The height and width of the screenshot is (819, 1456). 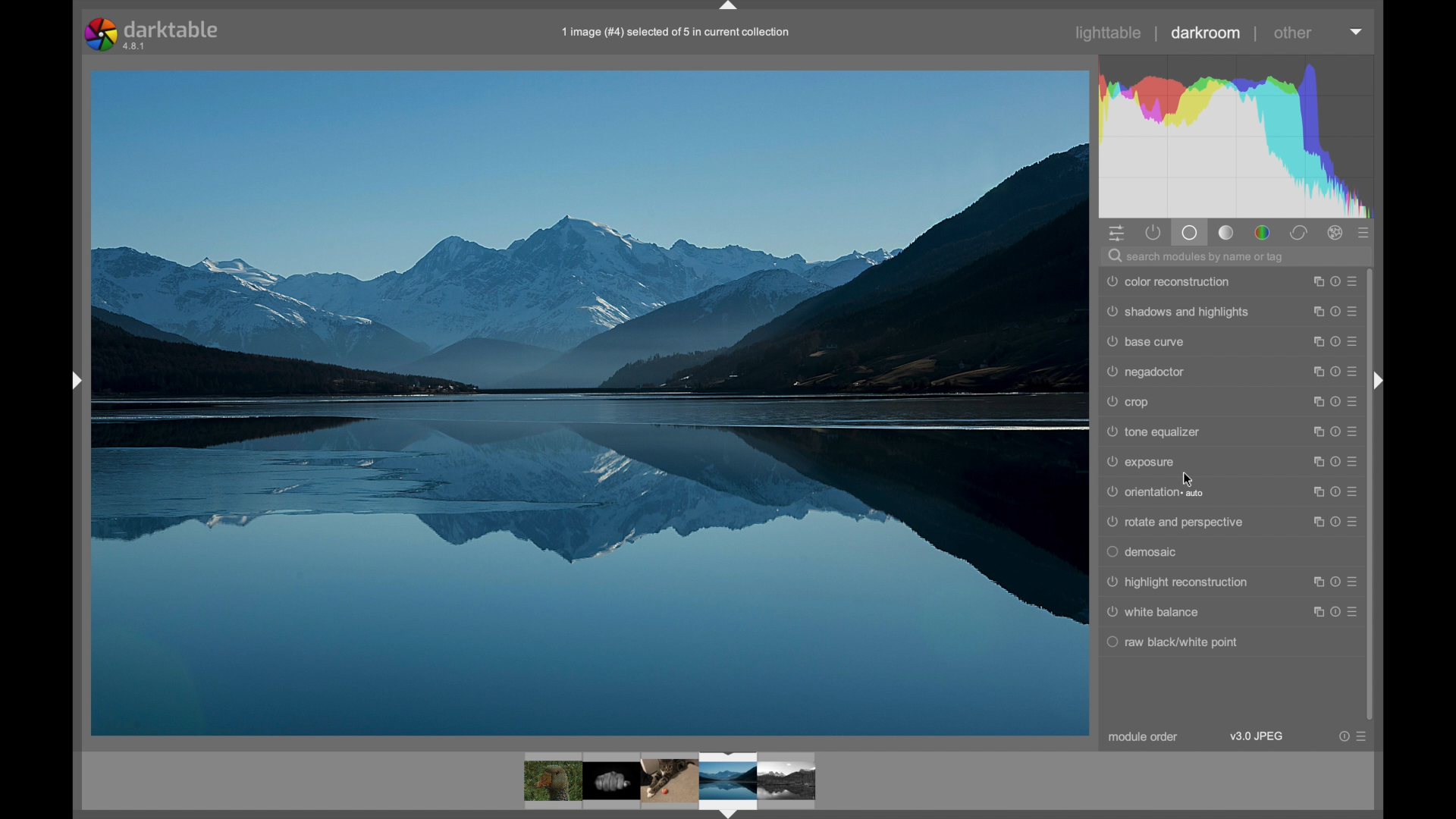 I want to click on more options, so click(x=1336, y=311).